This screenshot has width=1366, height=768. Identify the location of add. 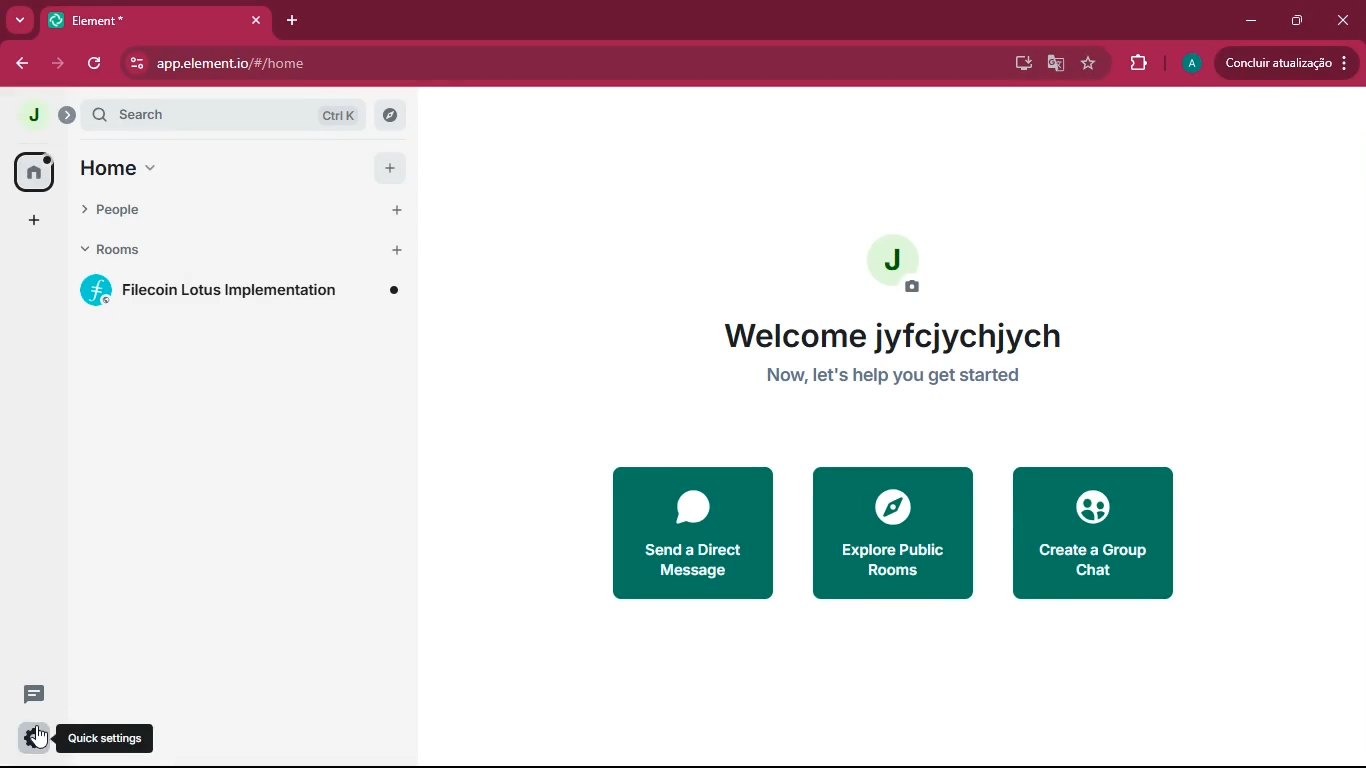
(32, 221).